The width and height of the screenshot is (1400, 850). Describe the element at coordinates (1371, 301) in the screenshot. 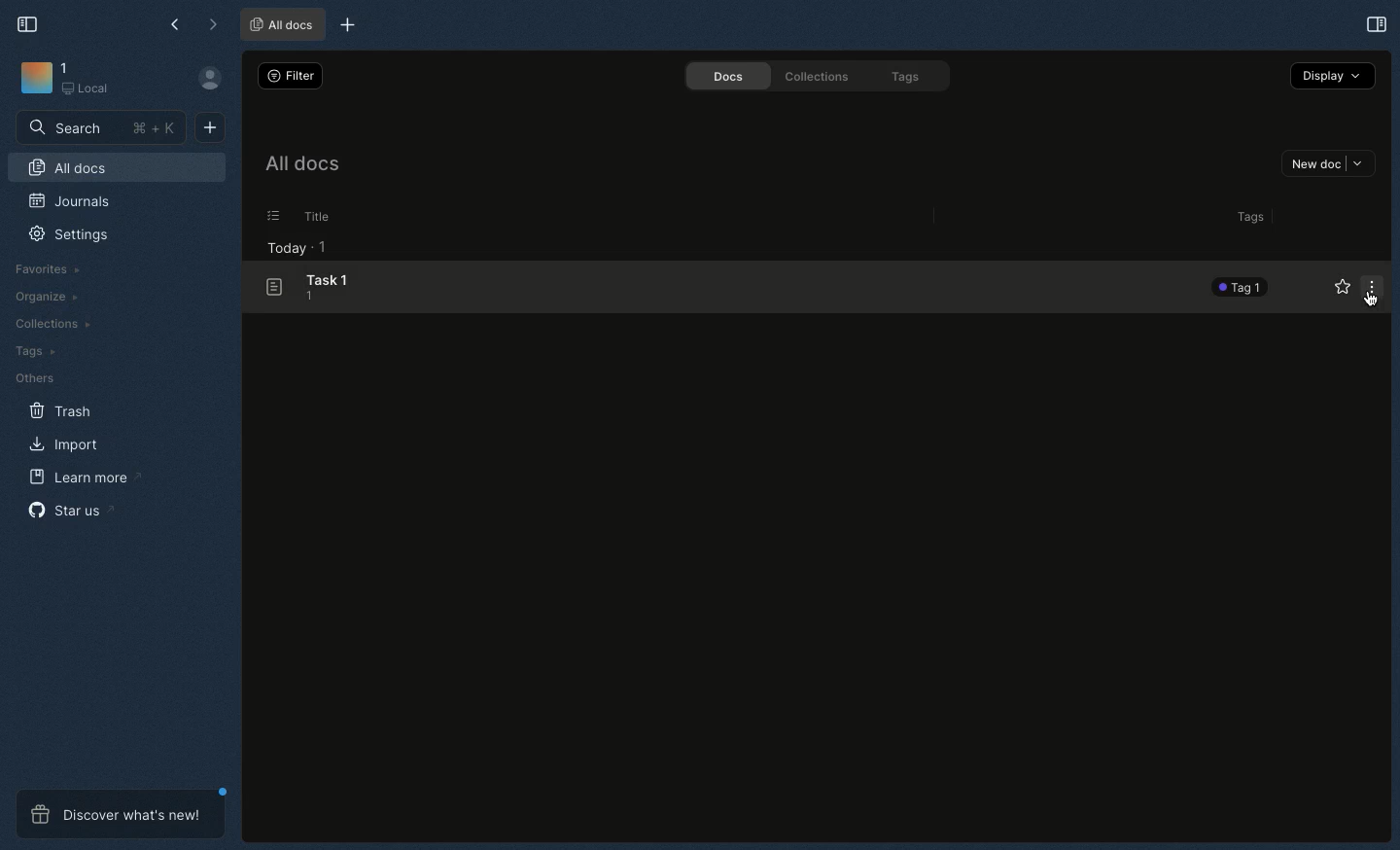

I see `Cursor` at that location.